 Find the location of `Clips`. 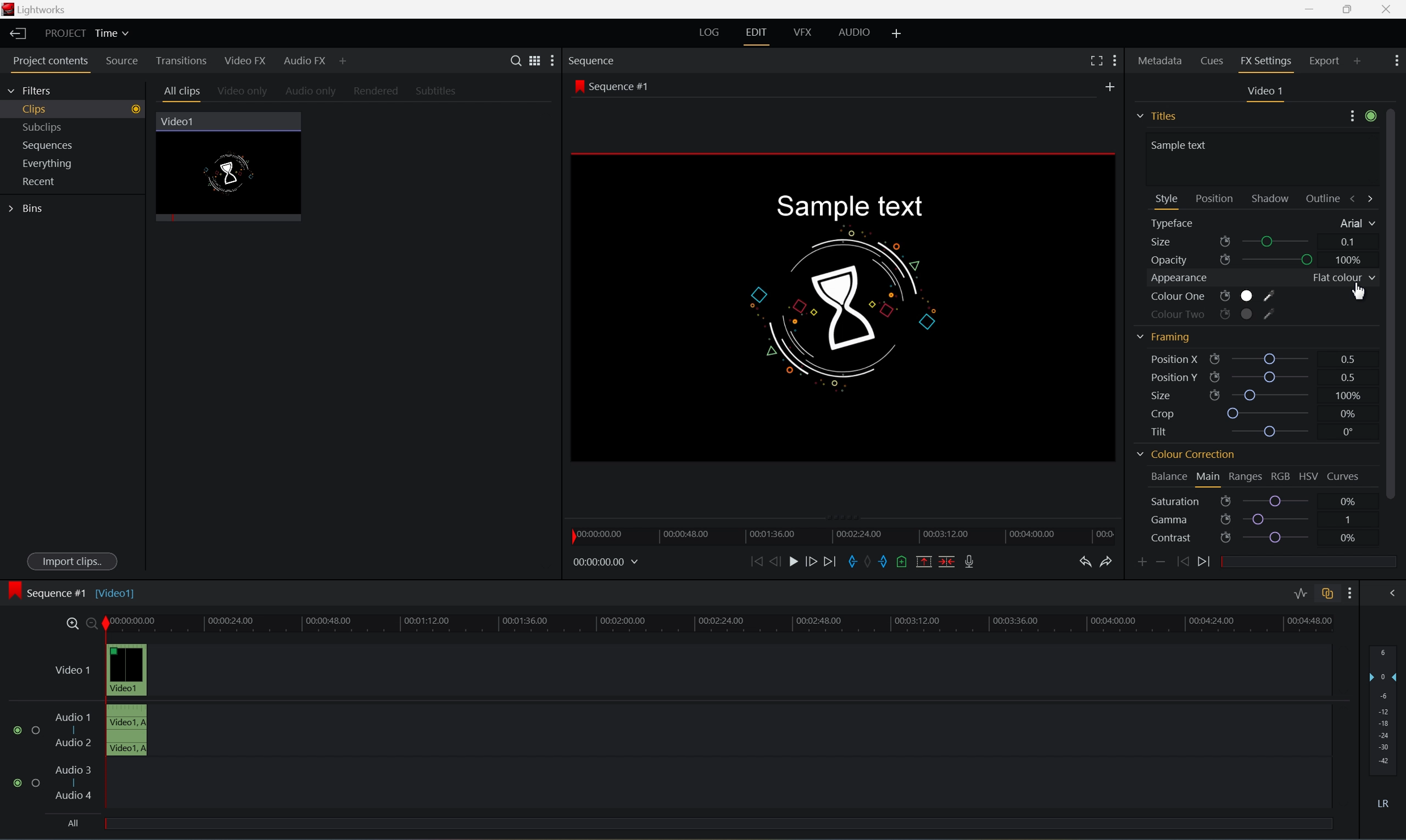

Clips is located at coordinates (79, 108).